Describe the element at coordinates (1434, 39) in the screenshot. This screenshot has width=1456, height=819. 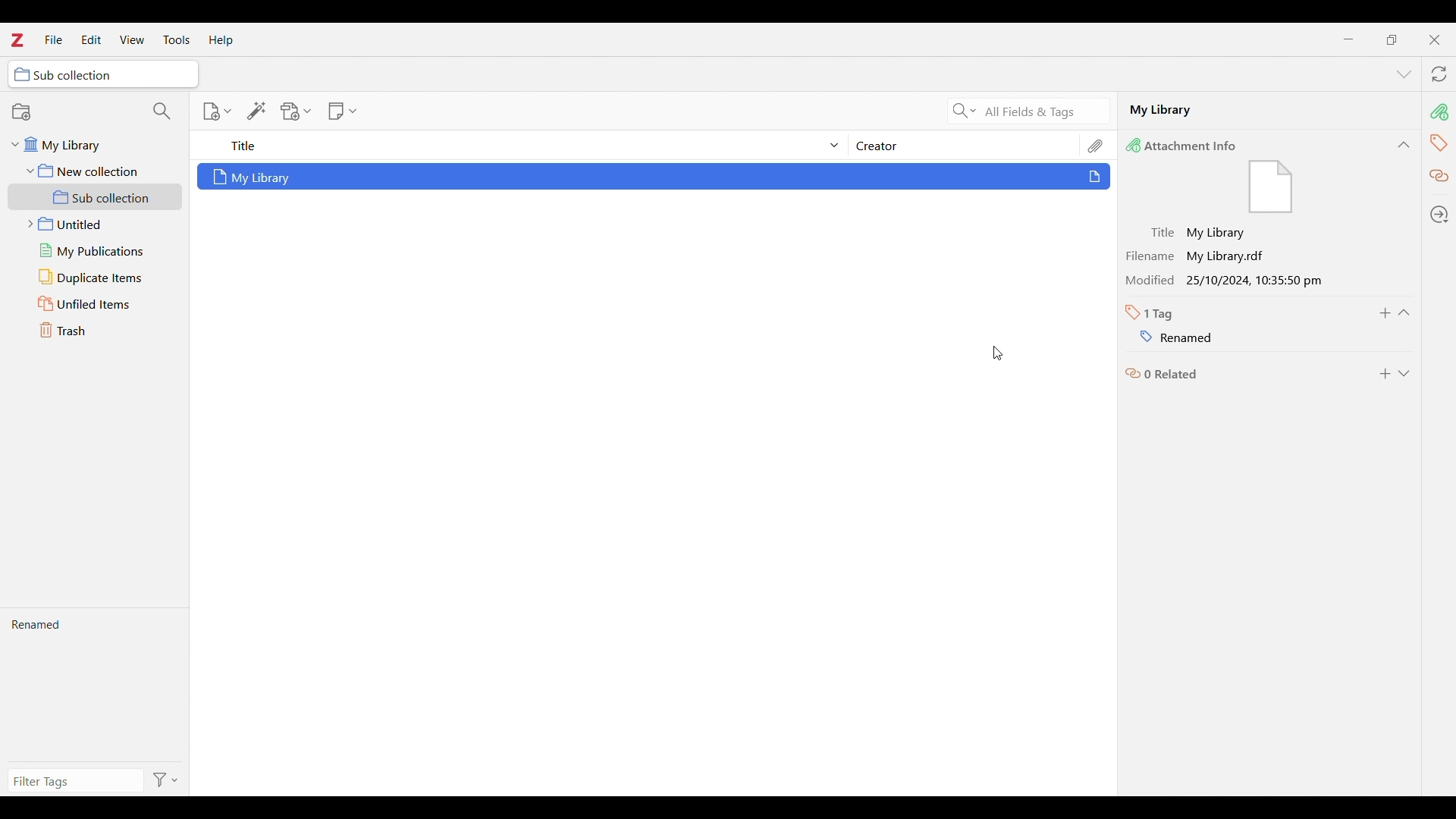
I see `Close interface` at that location.